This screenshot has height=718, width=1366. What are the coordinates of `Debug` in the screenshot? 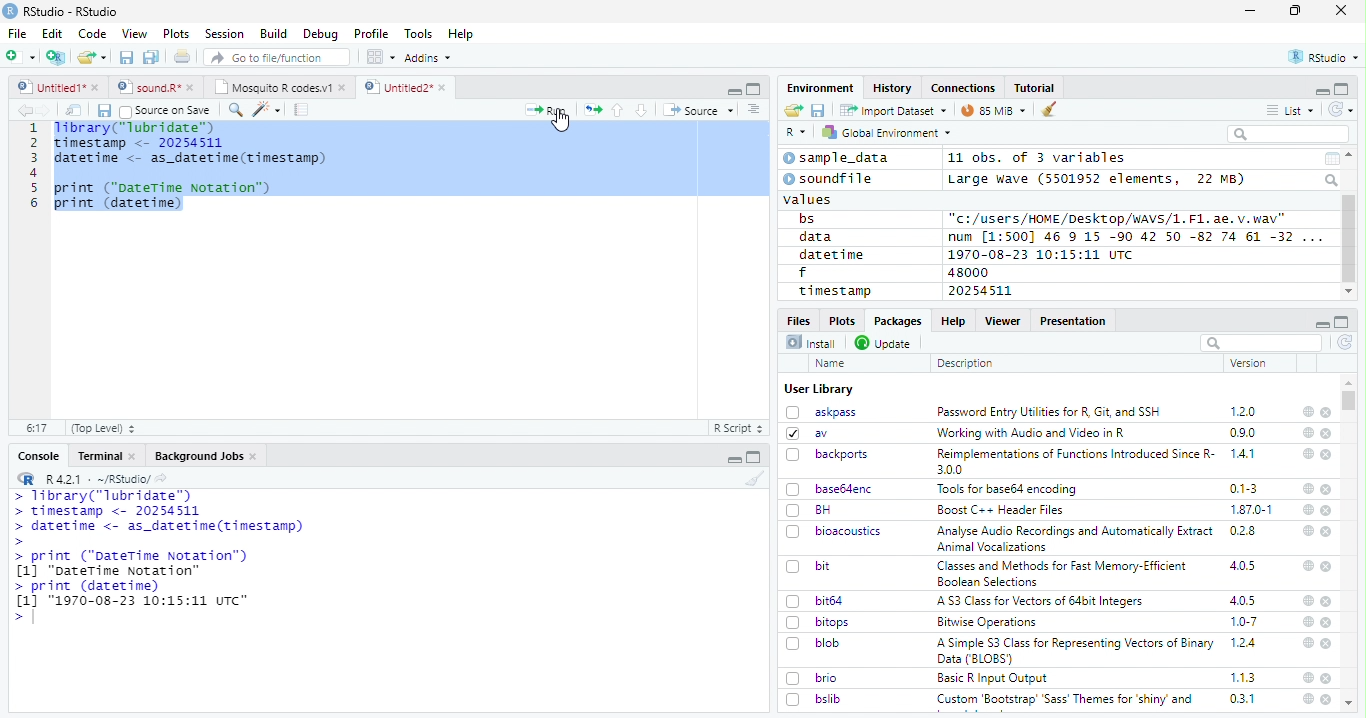 It's located at (321, 34).